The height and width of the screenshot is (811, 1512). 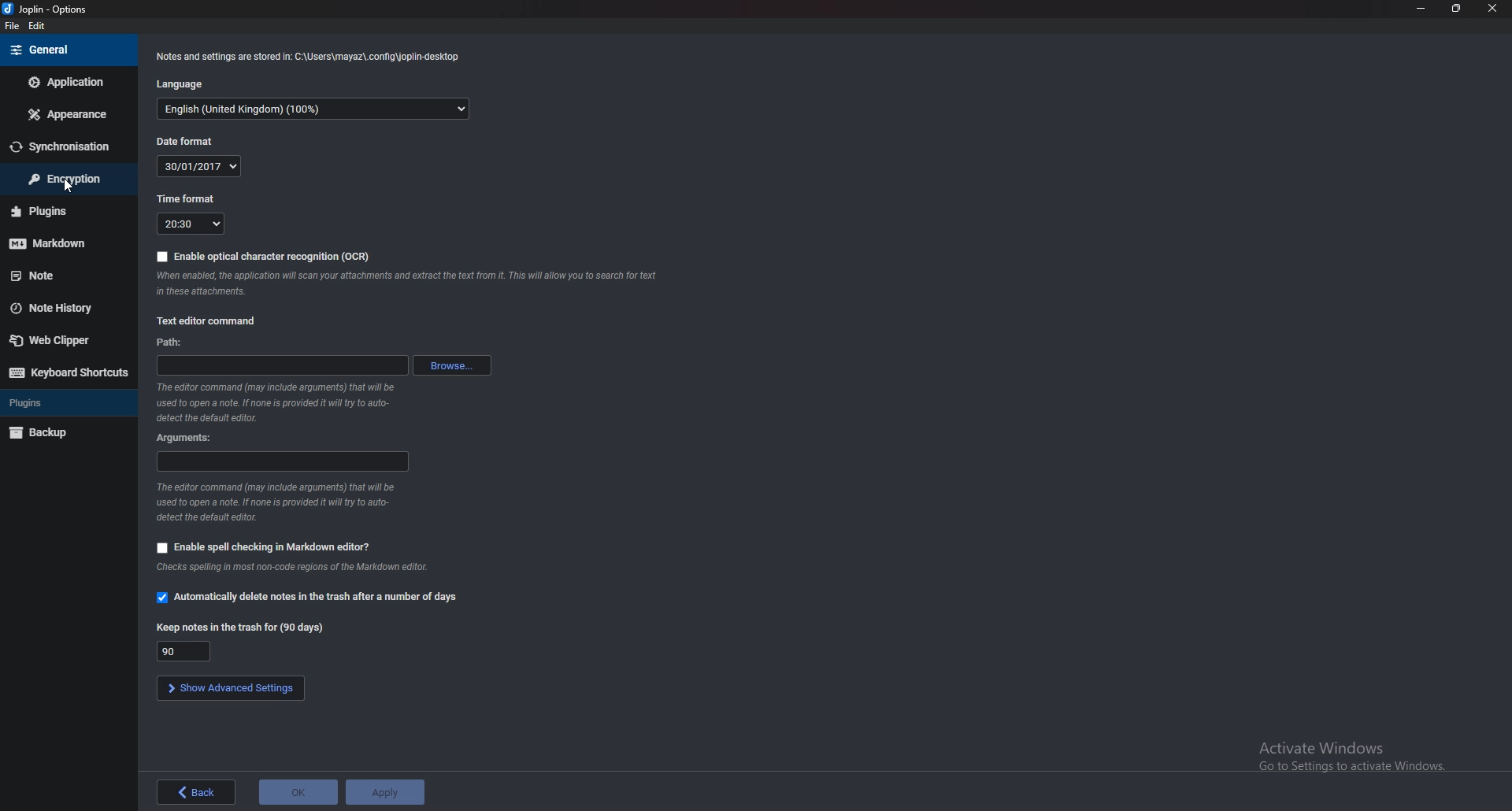 I want to click on path, so click(x=283, y=366).